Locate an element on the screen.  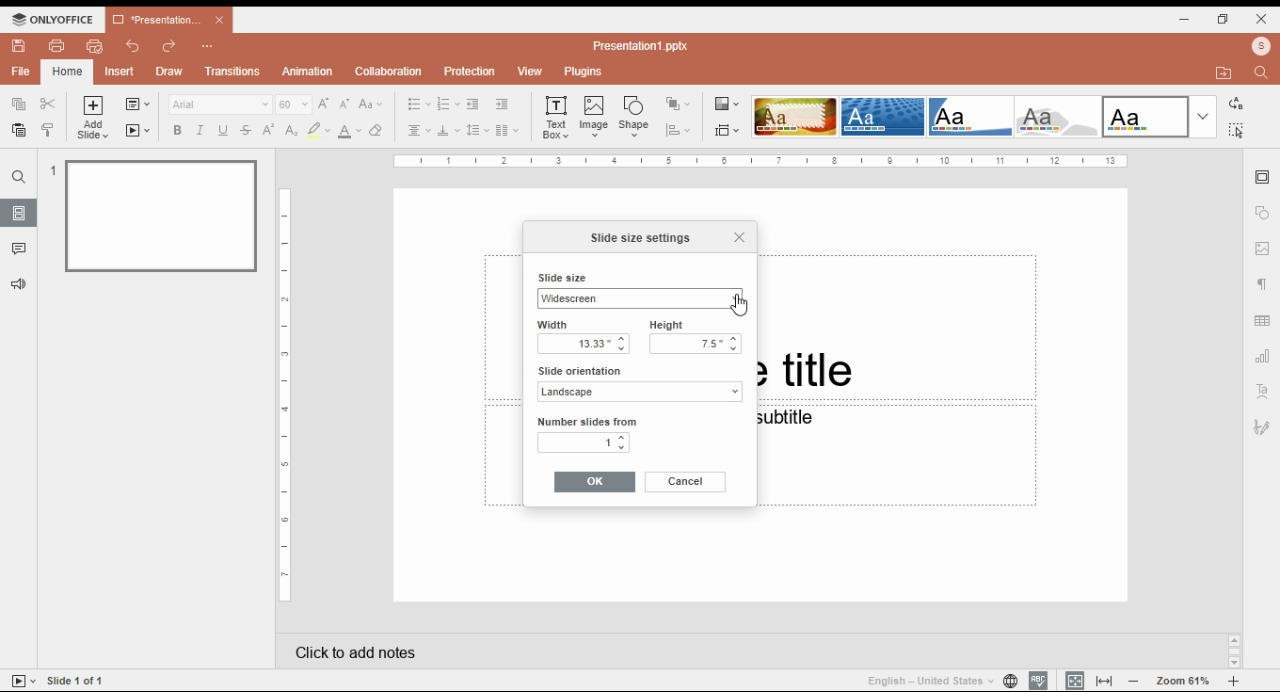
find is located at coordinates (1264, 71).